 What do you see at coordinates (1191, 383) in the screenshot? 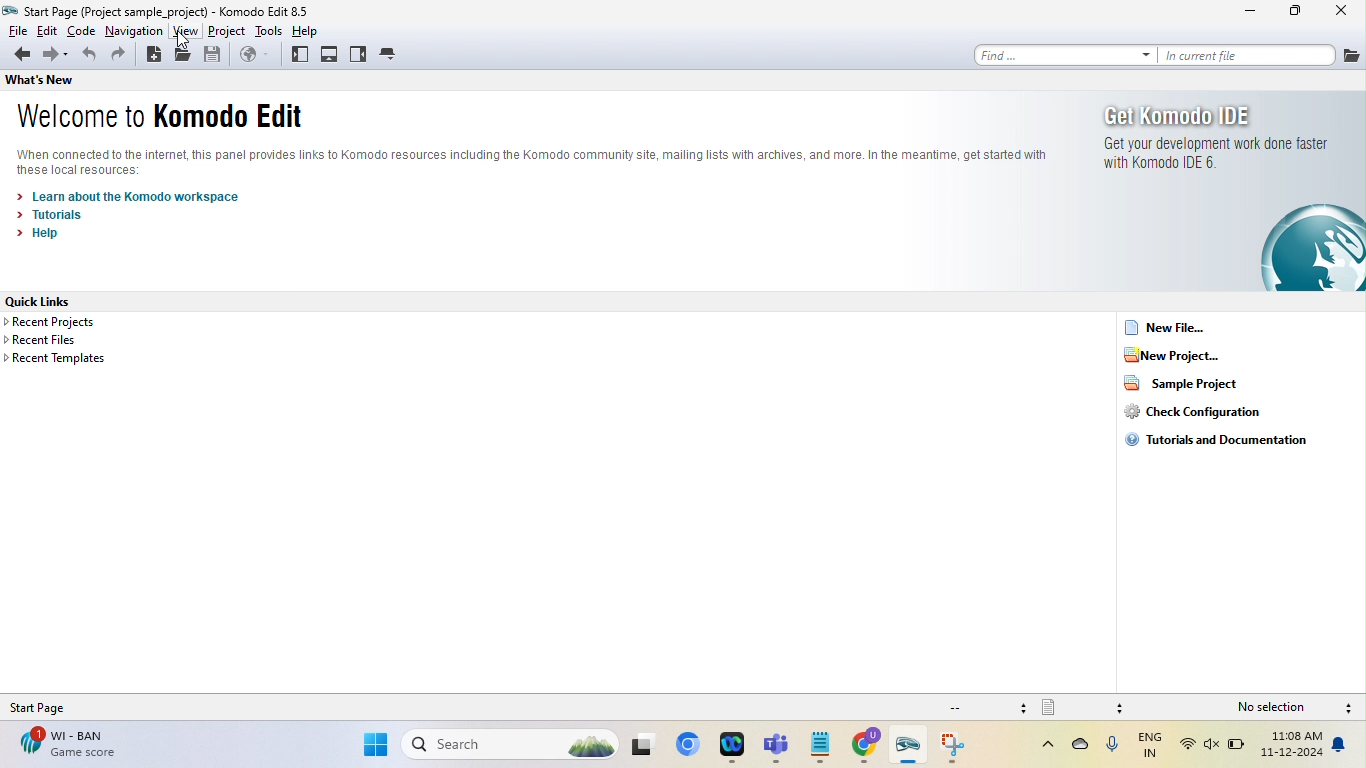
I see `sample project` at bounding box center [1191, 383].